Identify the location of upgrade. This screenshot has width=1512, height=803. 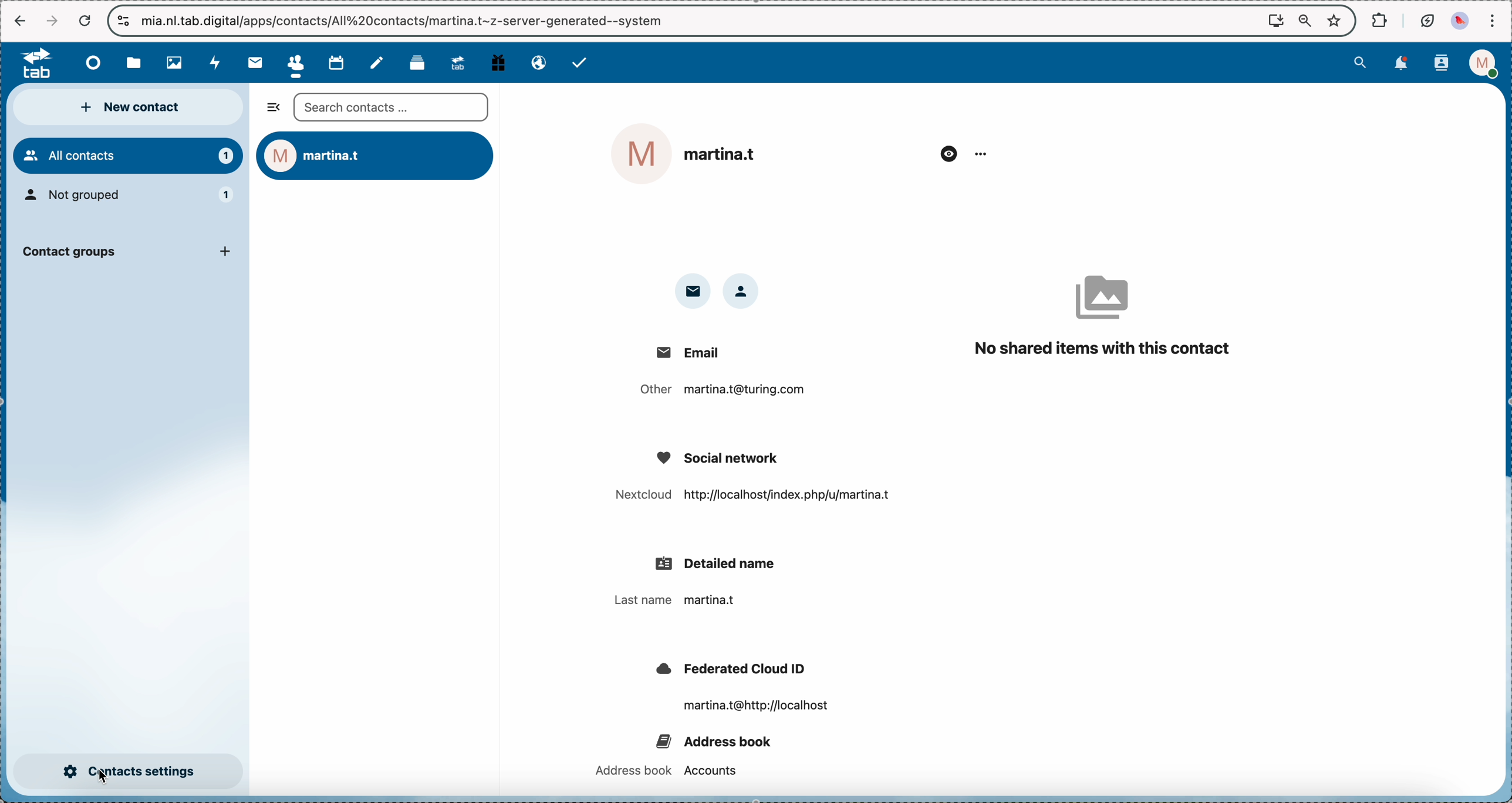
(457, 62).